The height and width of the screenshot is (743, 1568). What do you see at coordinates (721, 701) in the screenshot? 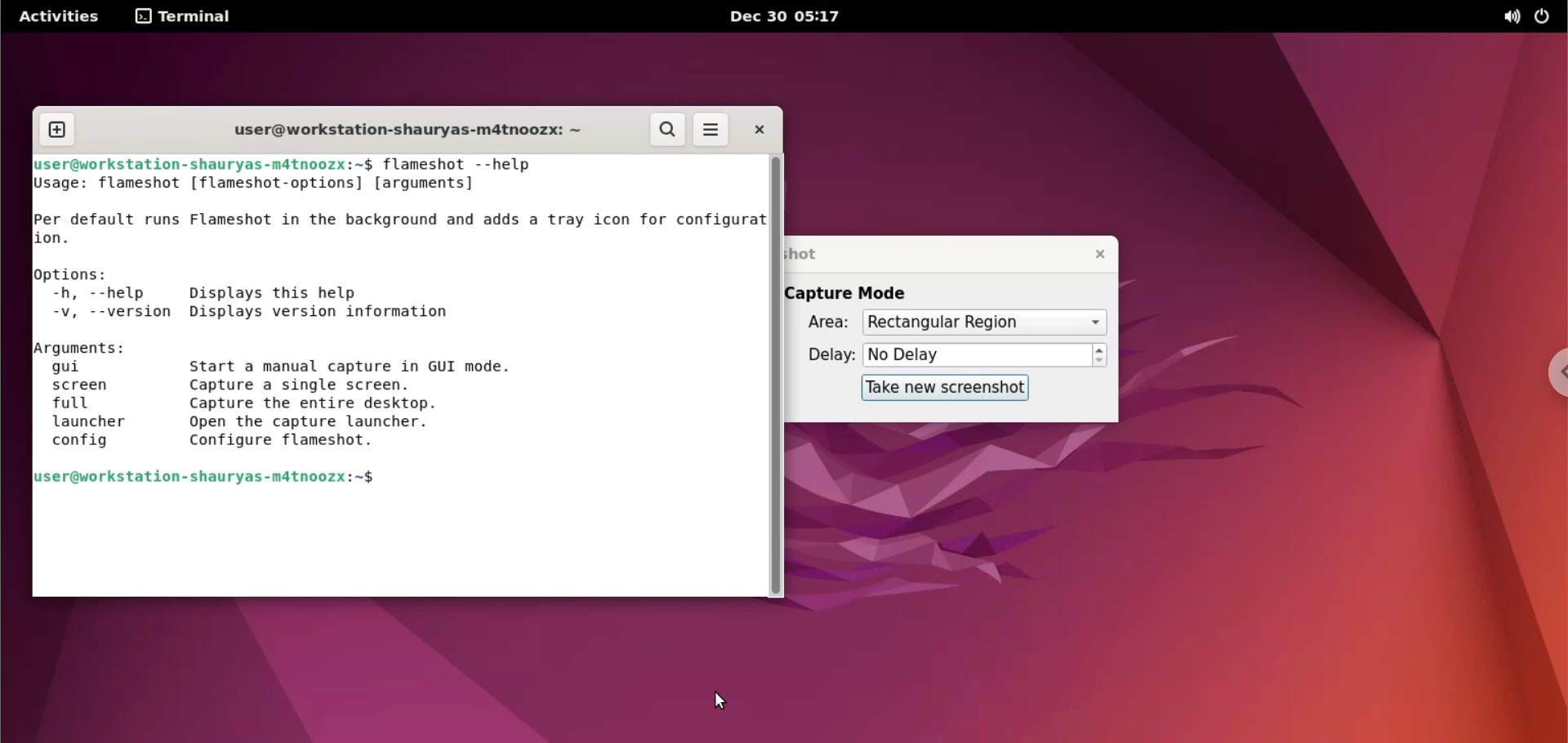
I see `cursor` at bounding box center [721, 701].